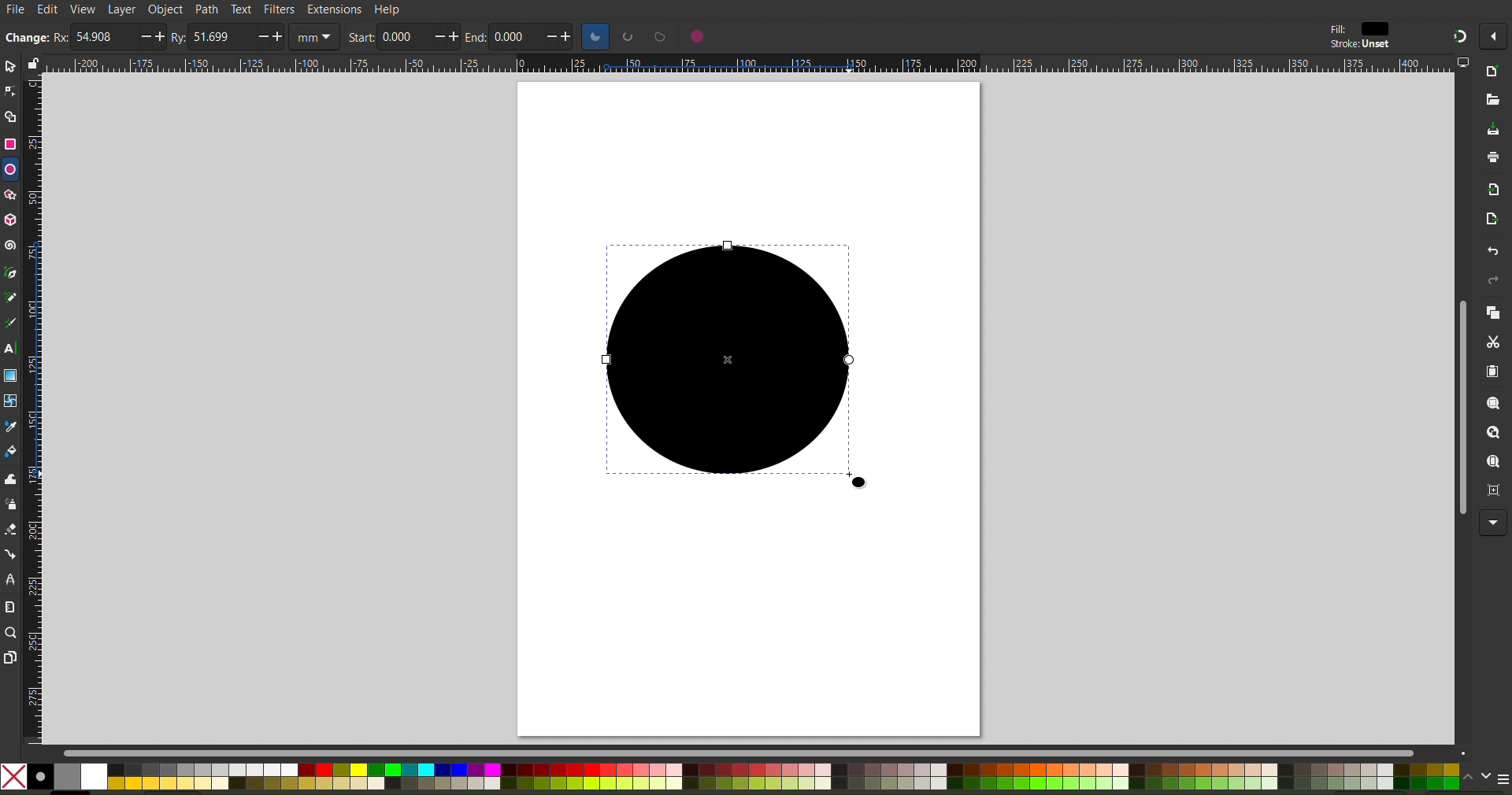 The width and height of the screenshot is (1512, 795). I want to click on More options, so click(1494, 38).